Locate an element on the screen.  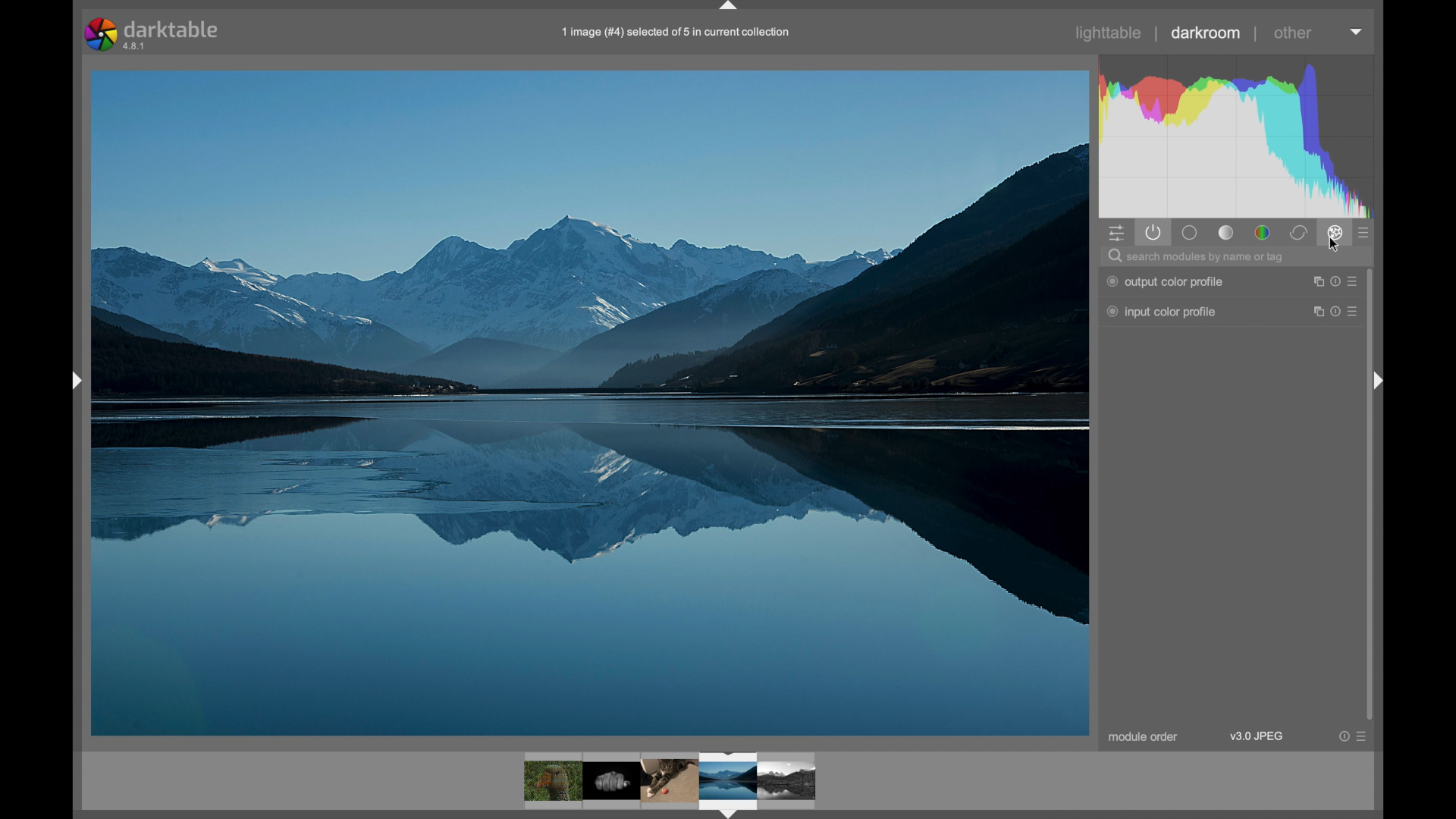
darktable is located at coordinates (155, 34).